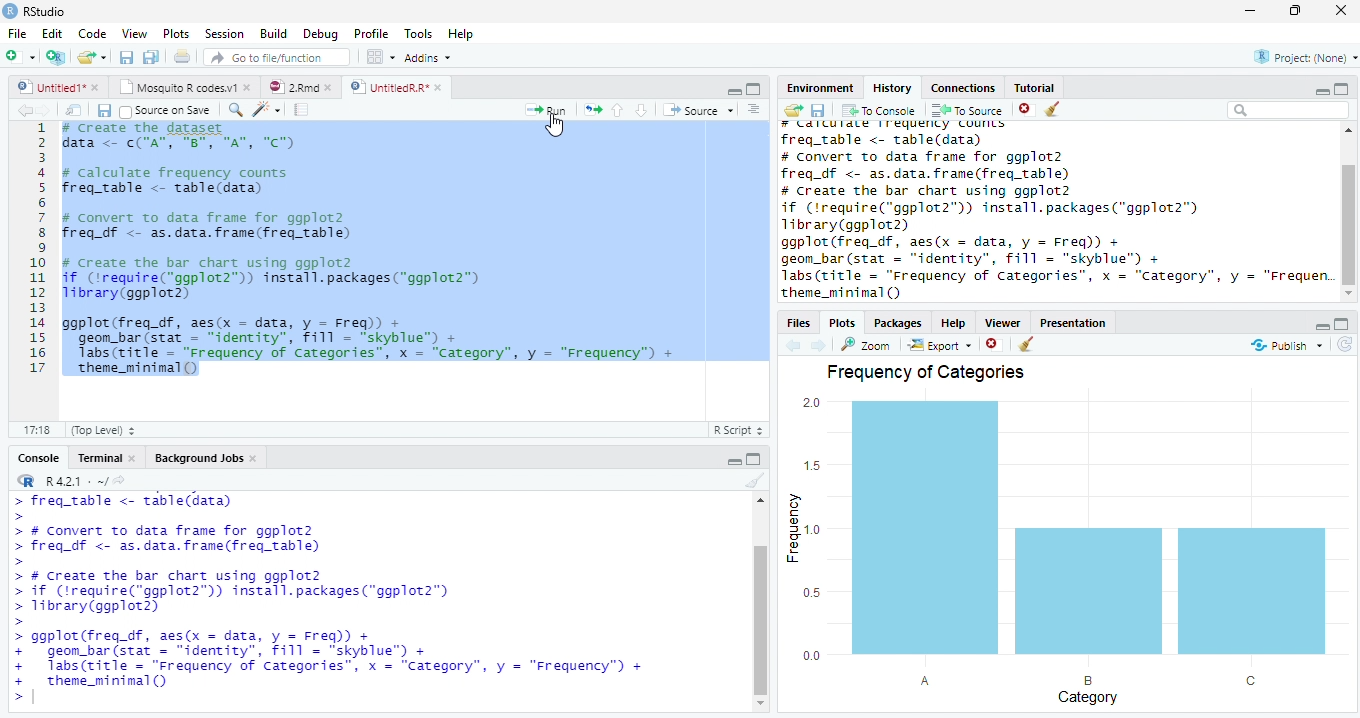 The height and width of the screenshot is (718, 1360). Describe the element at coordinates (378, 57) in the screenshot. I see `Workspace panes` at that location.